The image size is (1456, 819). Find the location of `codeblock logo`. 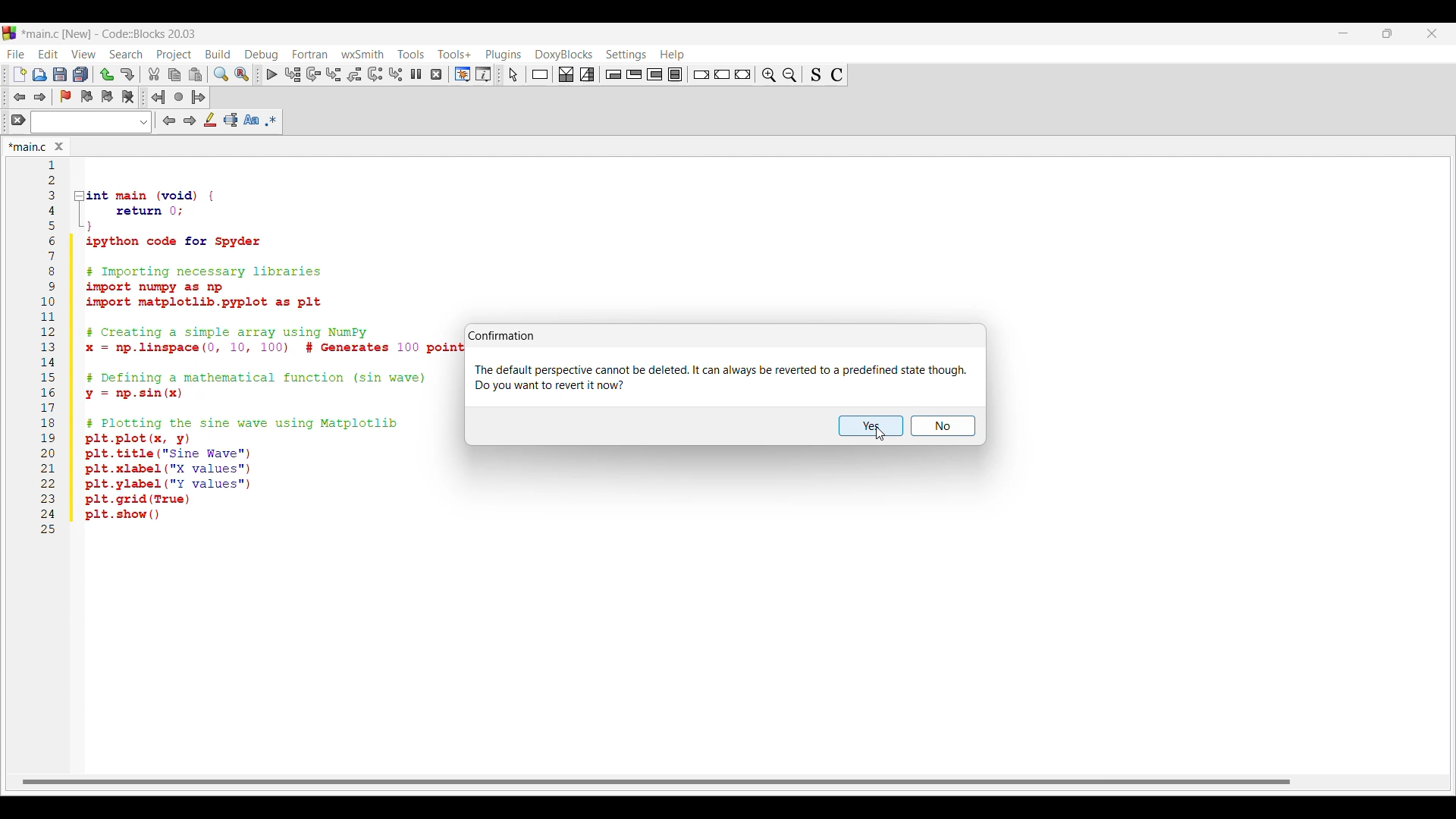

codeblock logo is located at coordinates (12, 33).